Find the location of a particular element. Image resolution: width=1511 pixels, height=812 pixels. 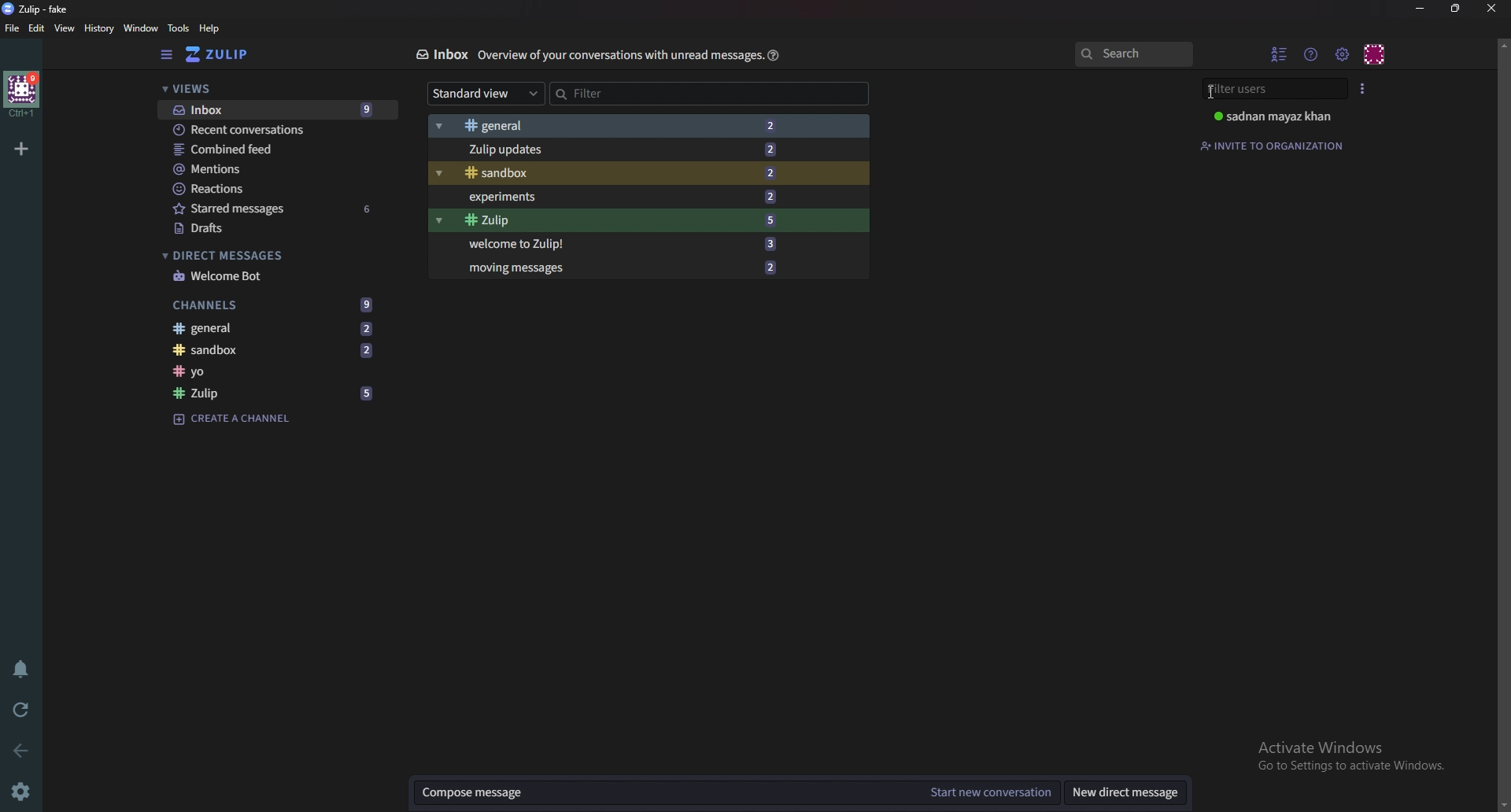

channel is located at coordinates (276, 372).